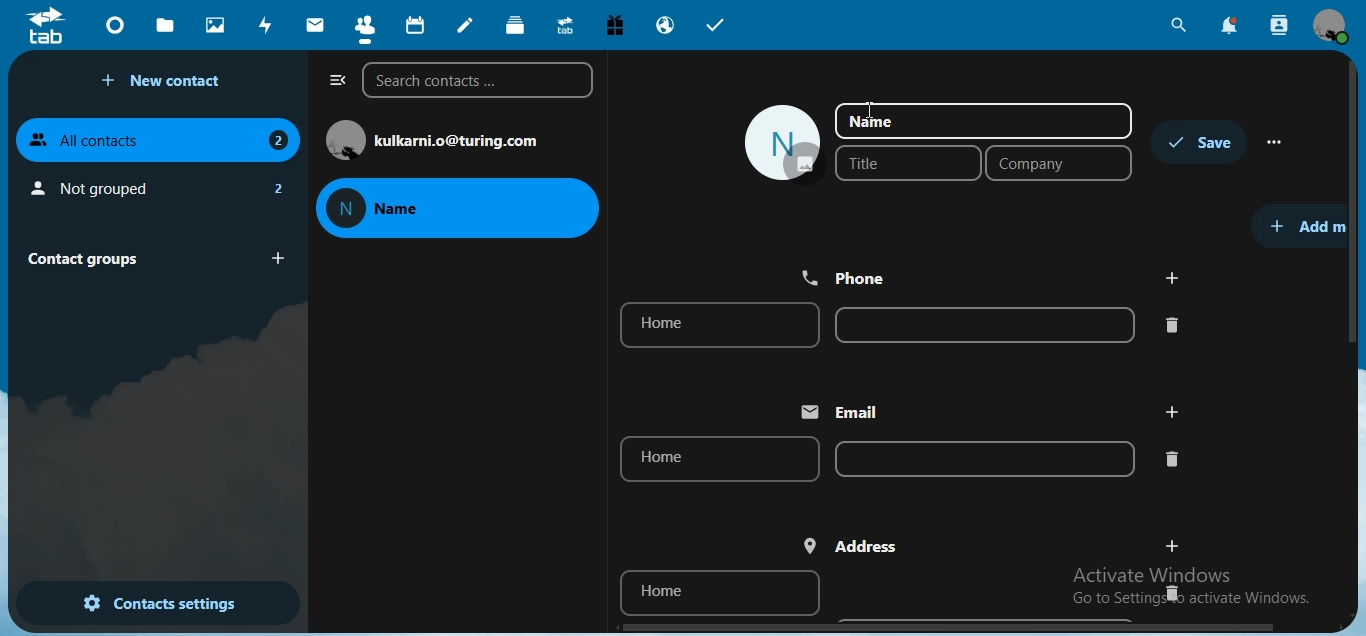  What do you see at coordinates (664, 27) in the screenshot?
I see `email hosting` at bounding box center [664, 27].